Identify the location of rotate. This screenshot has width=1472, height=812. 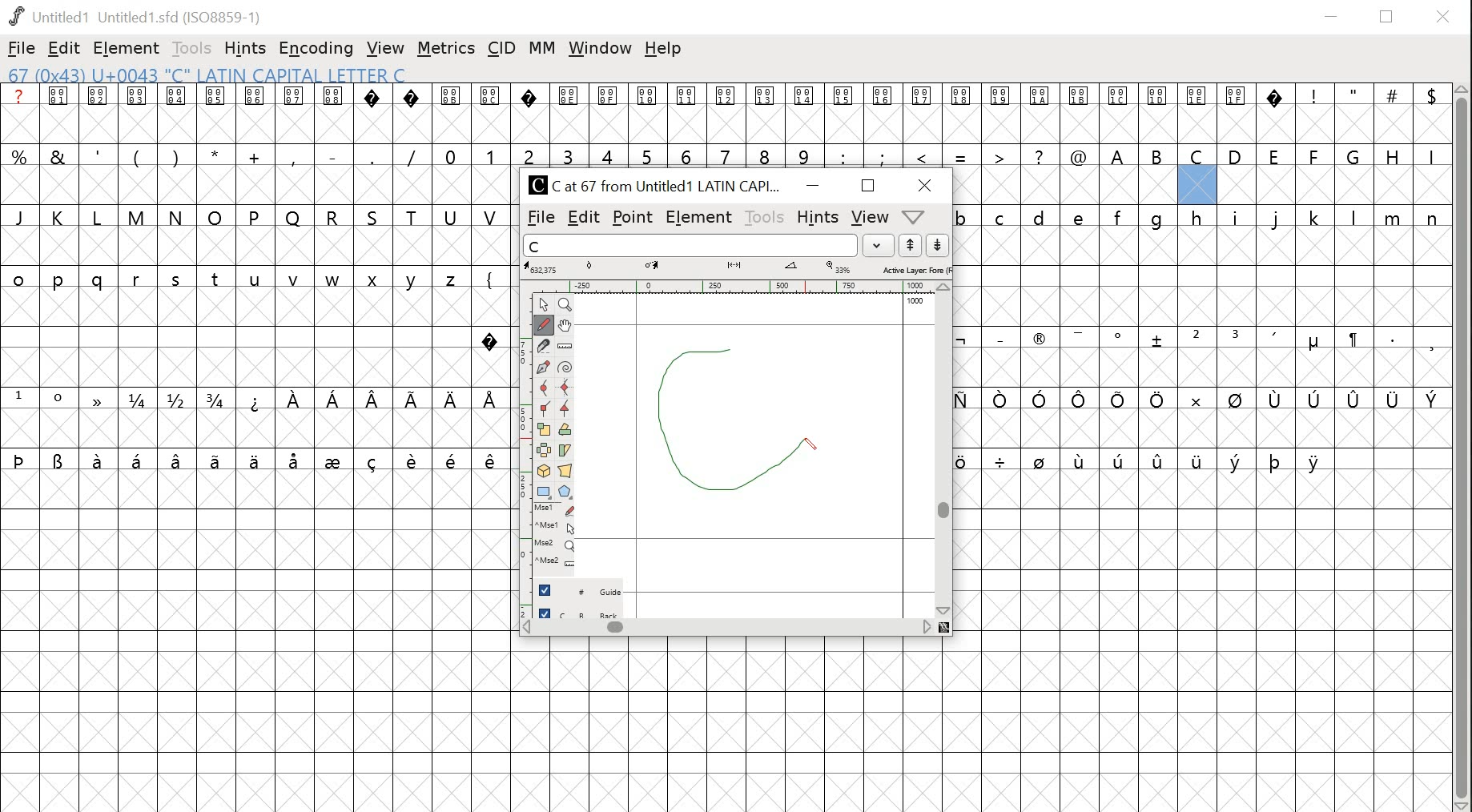
(566, 430).